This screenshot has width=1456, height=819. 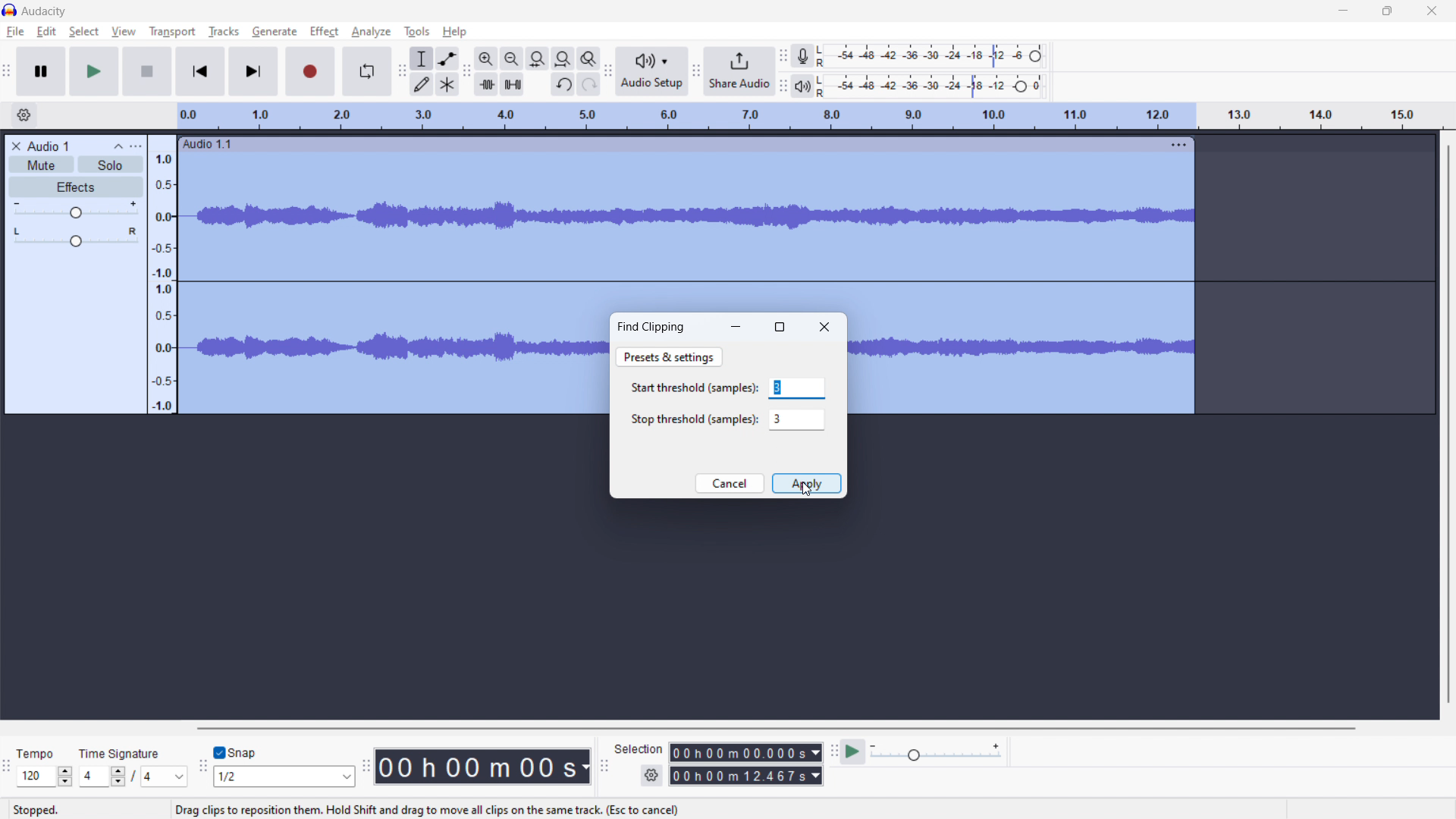 I want to click on minimize, so click(x=735, y=328).